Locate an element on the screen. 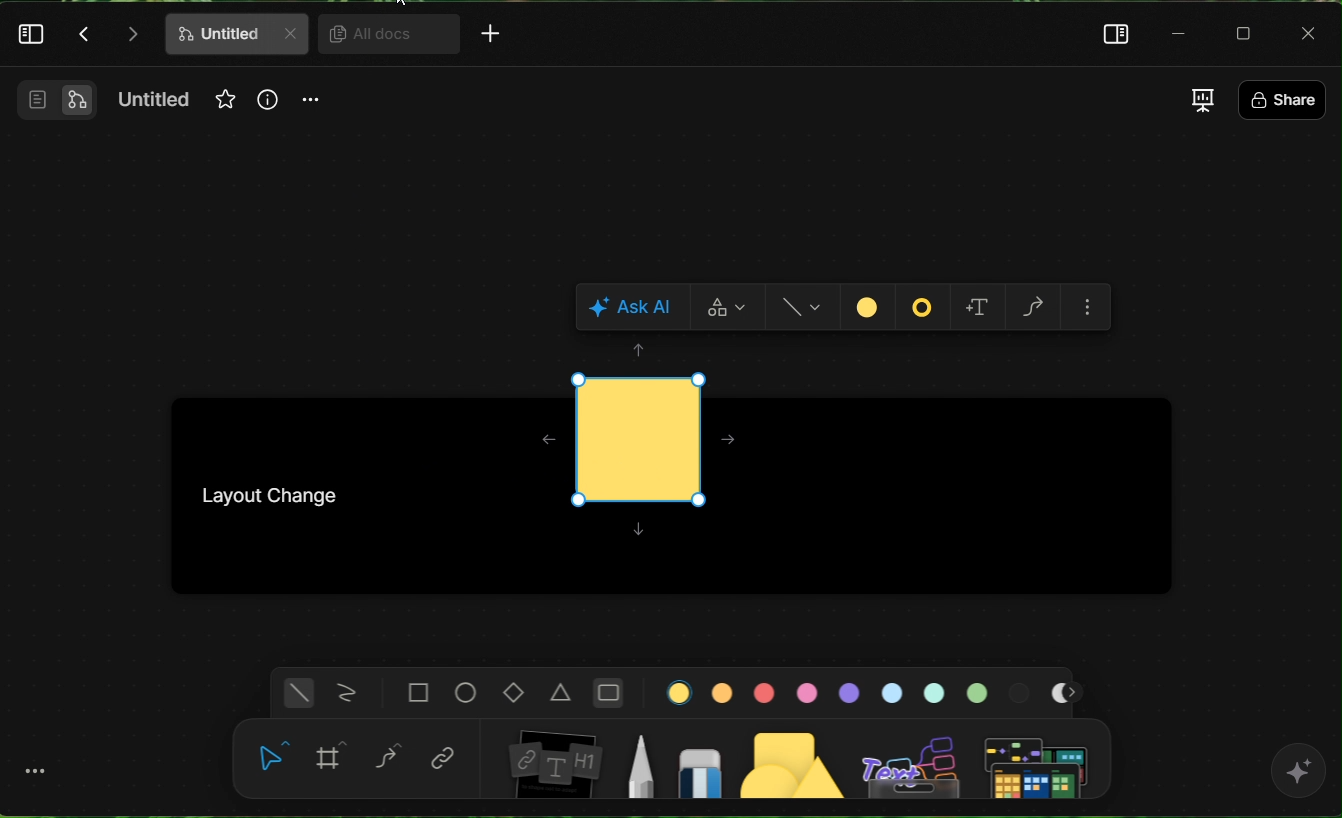 The image size is (1342, 818). Left panel is located at coordinates (33, 39).